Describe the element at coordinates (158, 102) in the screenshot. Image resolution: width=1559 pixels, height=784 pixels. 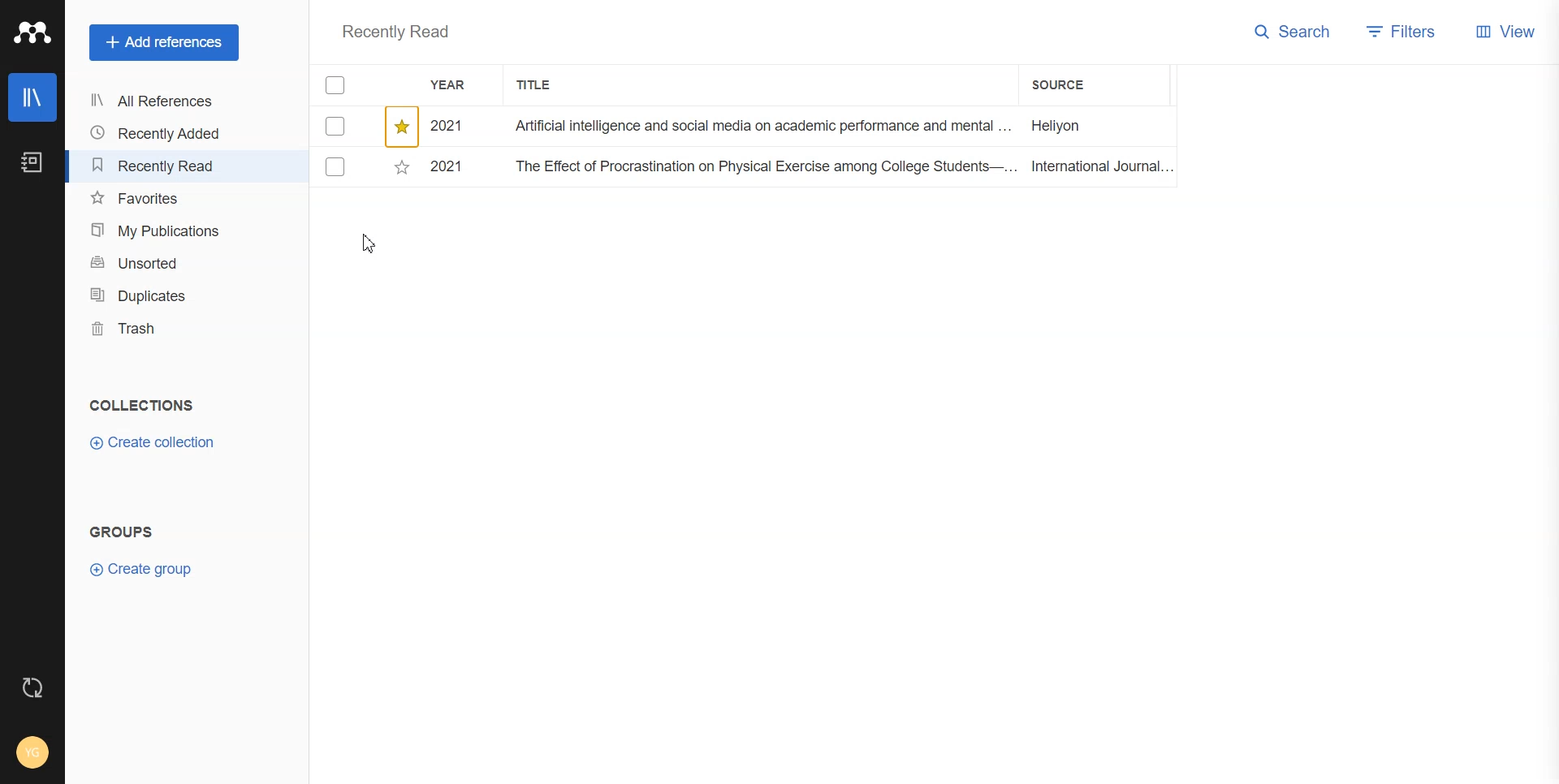
I see `All References` at that location.